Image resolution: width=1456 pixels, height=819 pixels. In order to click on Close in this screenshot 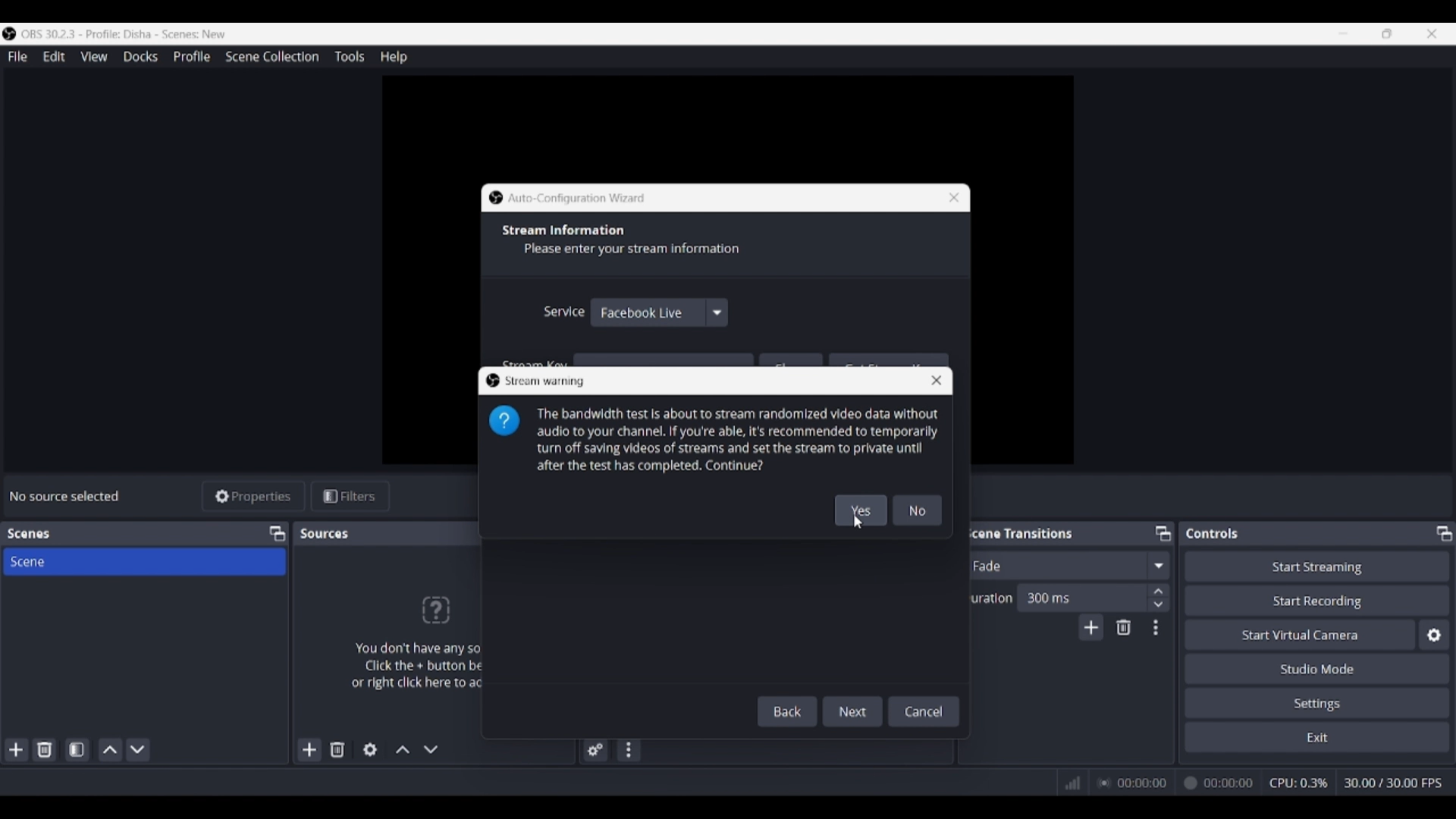, I will do `click(948, 196)`.